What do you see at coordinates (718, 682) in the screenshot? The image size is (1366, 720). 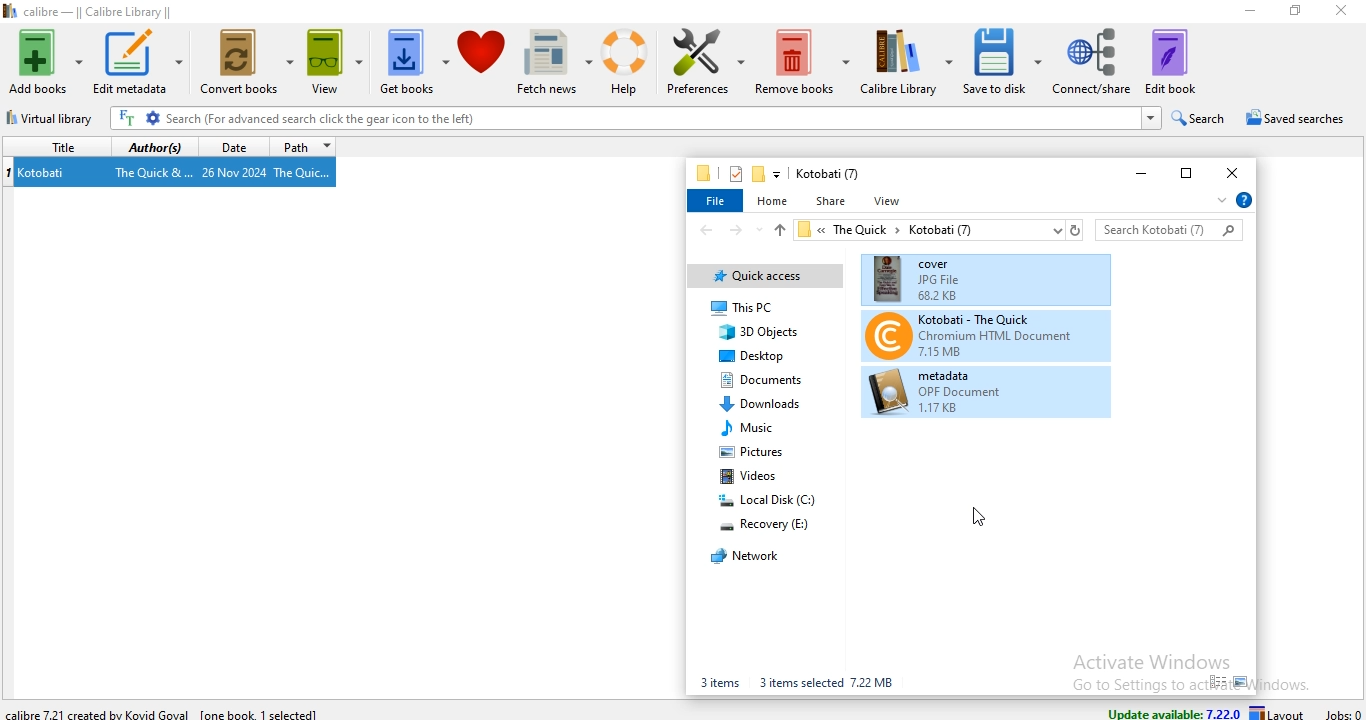 I see `3 items` at bounding box center [718, 682].